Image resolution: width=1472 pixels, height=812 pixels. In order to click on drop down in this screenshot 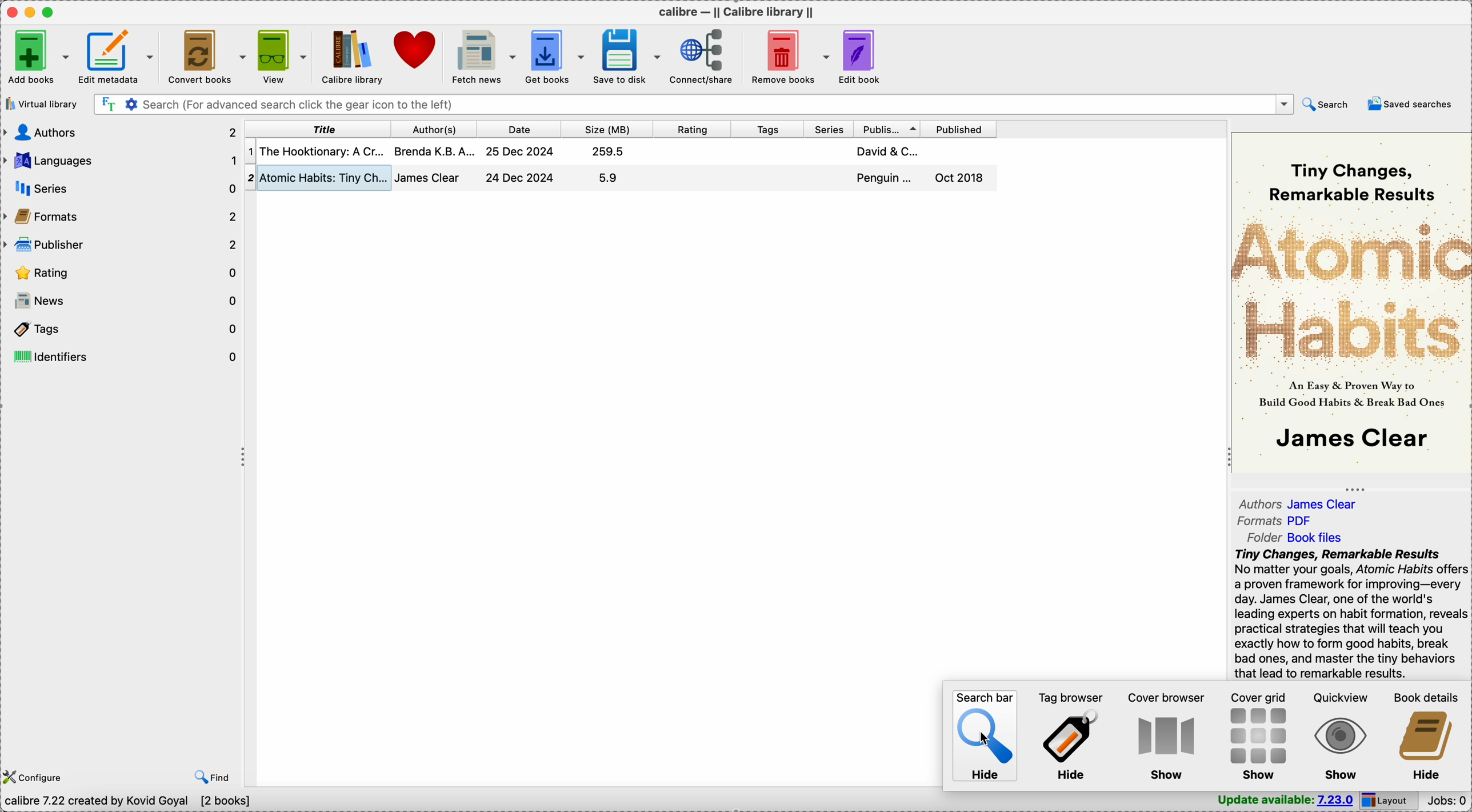, I will do `click(1286, 104)`.